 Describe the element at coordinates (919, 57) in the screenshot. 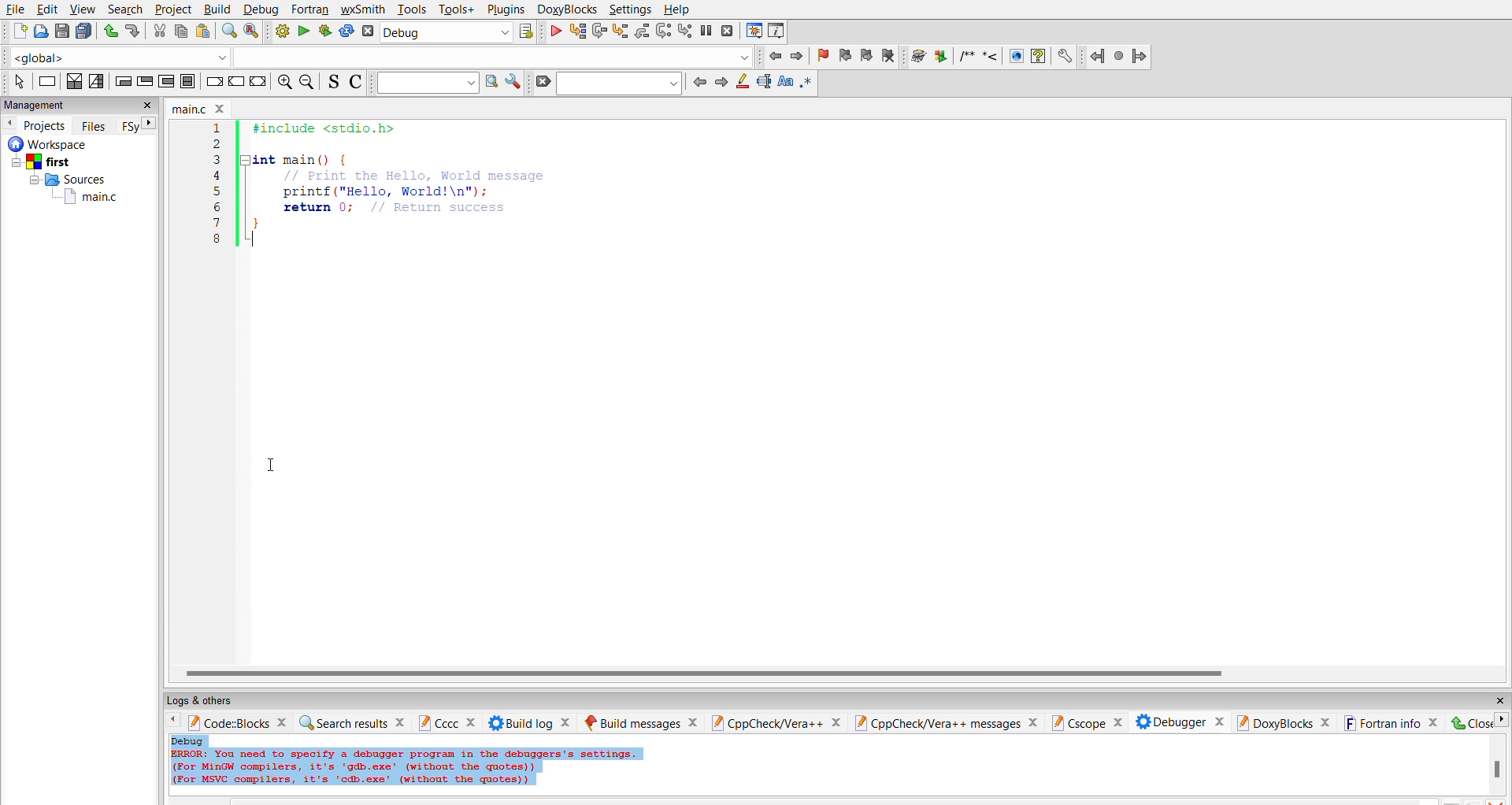

I see `Run doxywizard` at that location.